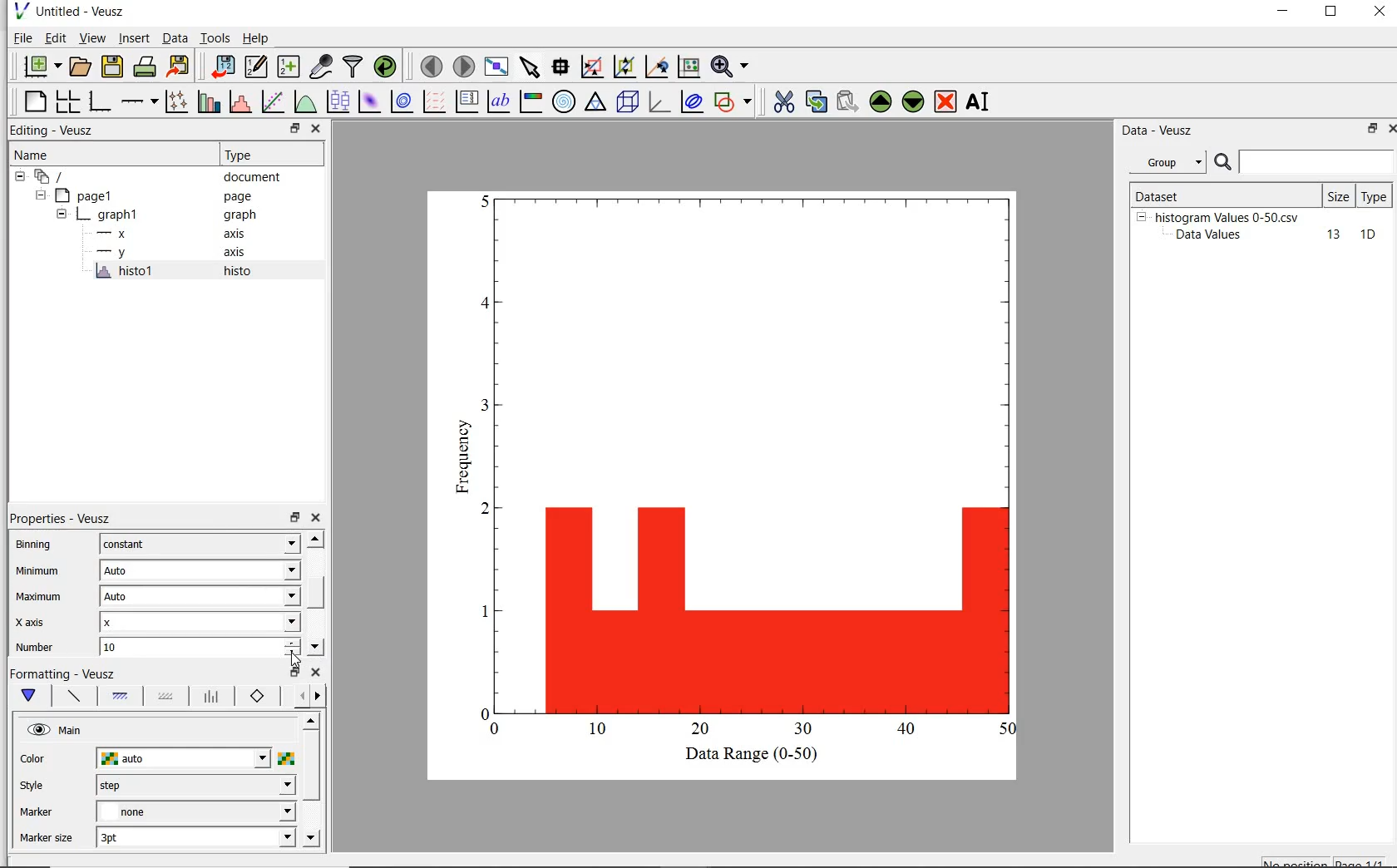 The width and height of the screenshot is (1397, 868). Describe the element at coordinates (101, 101) in the screenshot. I see `base graph` at that location.